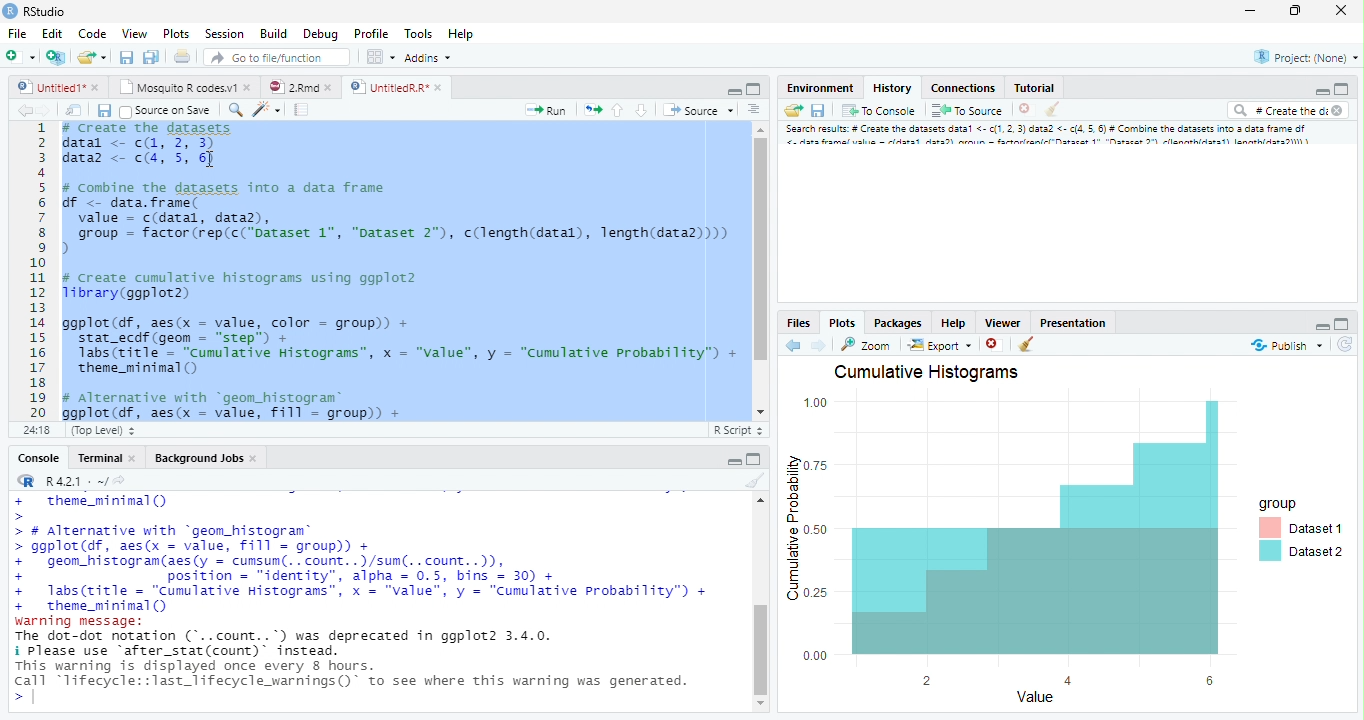  Describe the element at coordinates (53, 35) in the screenshot. I see `Edit` at that location.